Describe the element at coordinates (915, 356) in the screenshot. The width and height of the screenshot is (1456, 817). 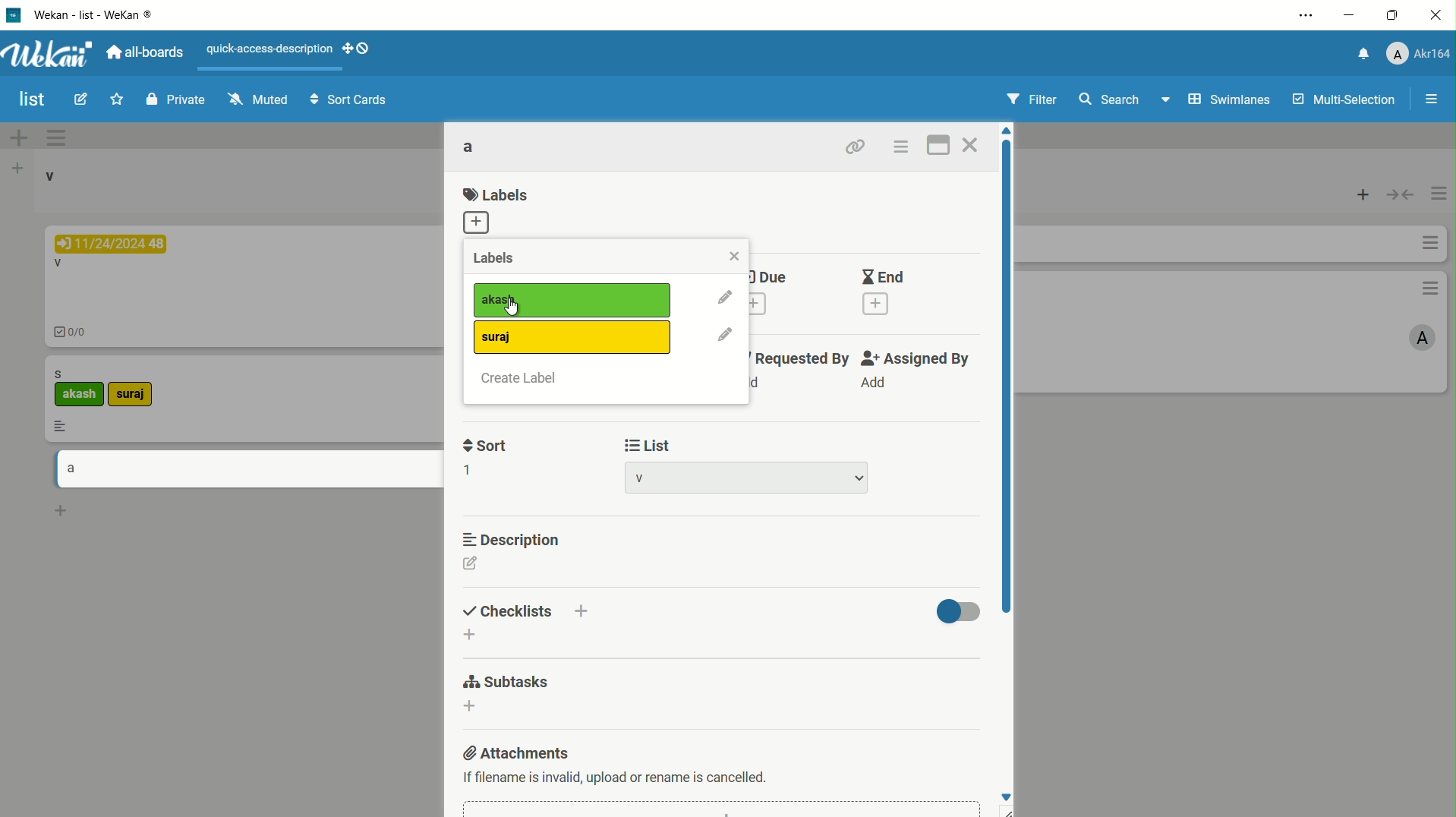
I see `assigned by` at that location.